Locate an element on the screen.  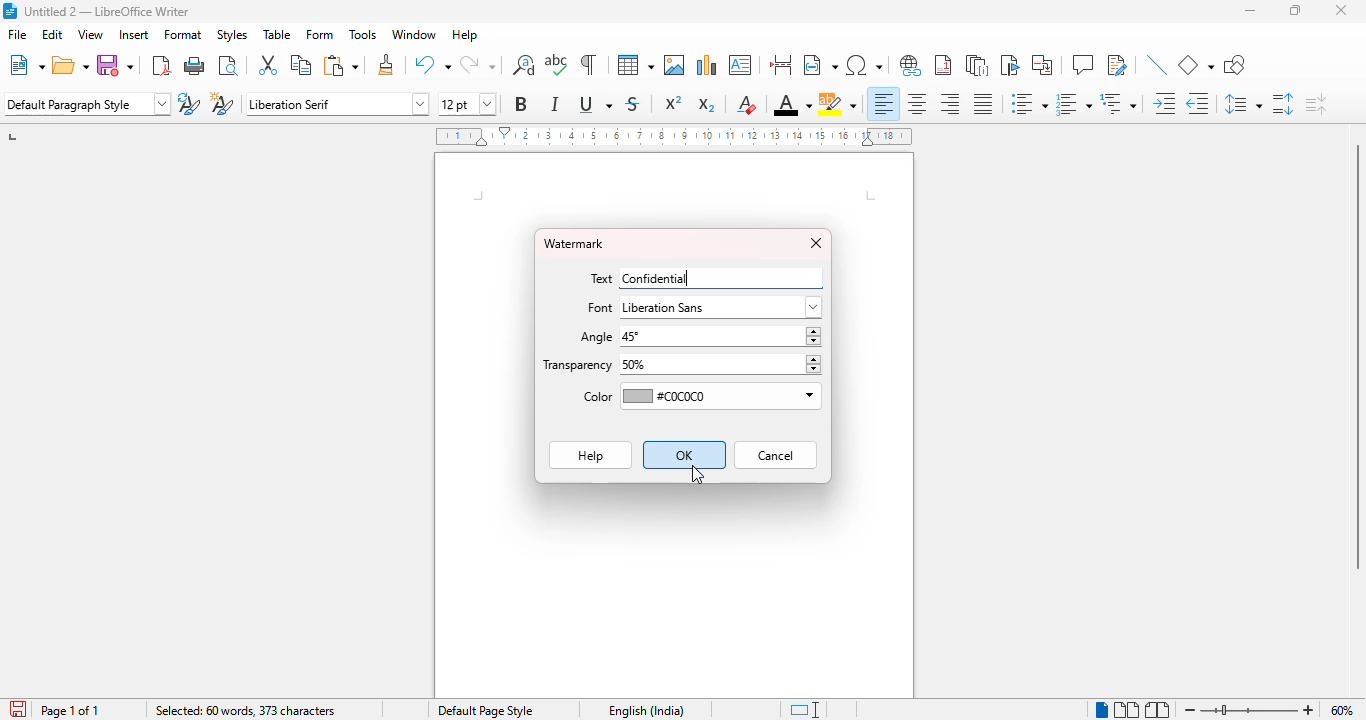
Cursor is located at coordinates (698, 475).